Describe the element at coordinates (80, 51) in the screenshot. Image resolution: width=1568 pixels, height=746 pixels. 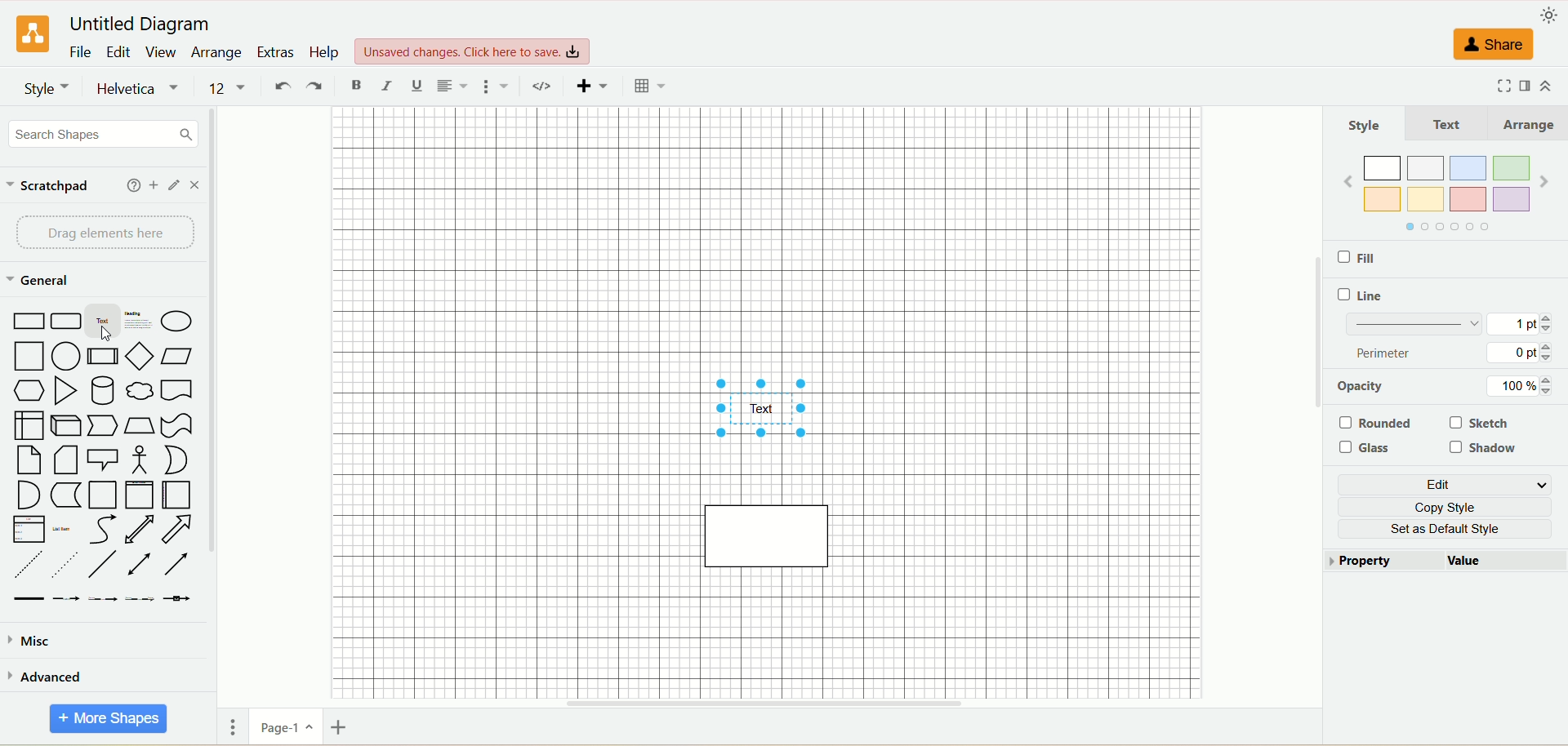
I see `file` at that location.